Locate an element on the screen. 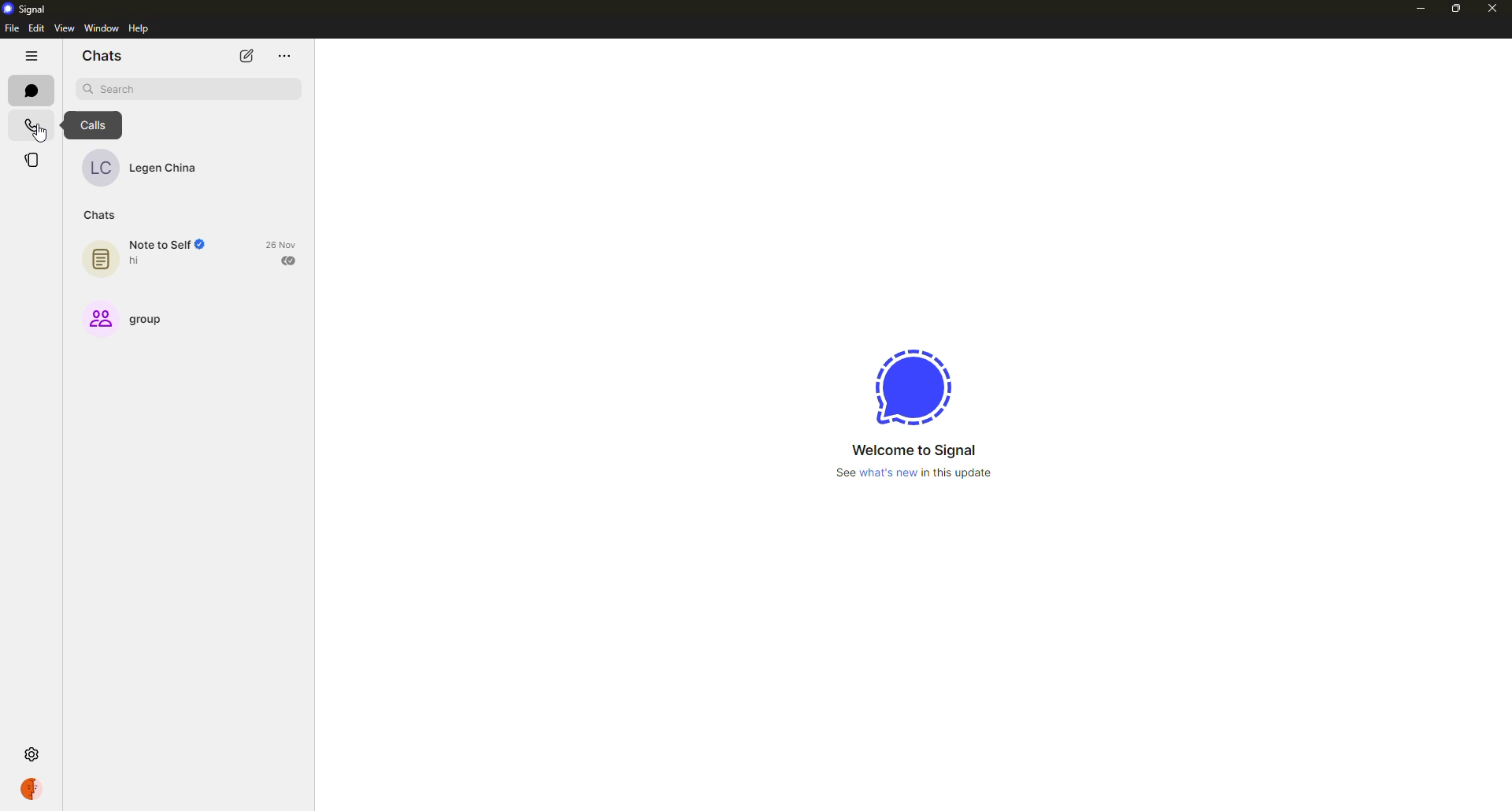 Image resolution: width=1512 pixels, height=811 pixels. cursor is located at coordinates (39, 135).